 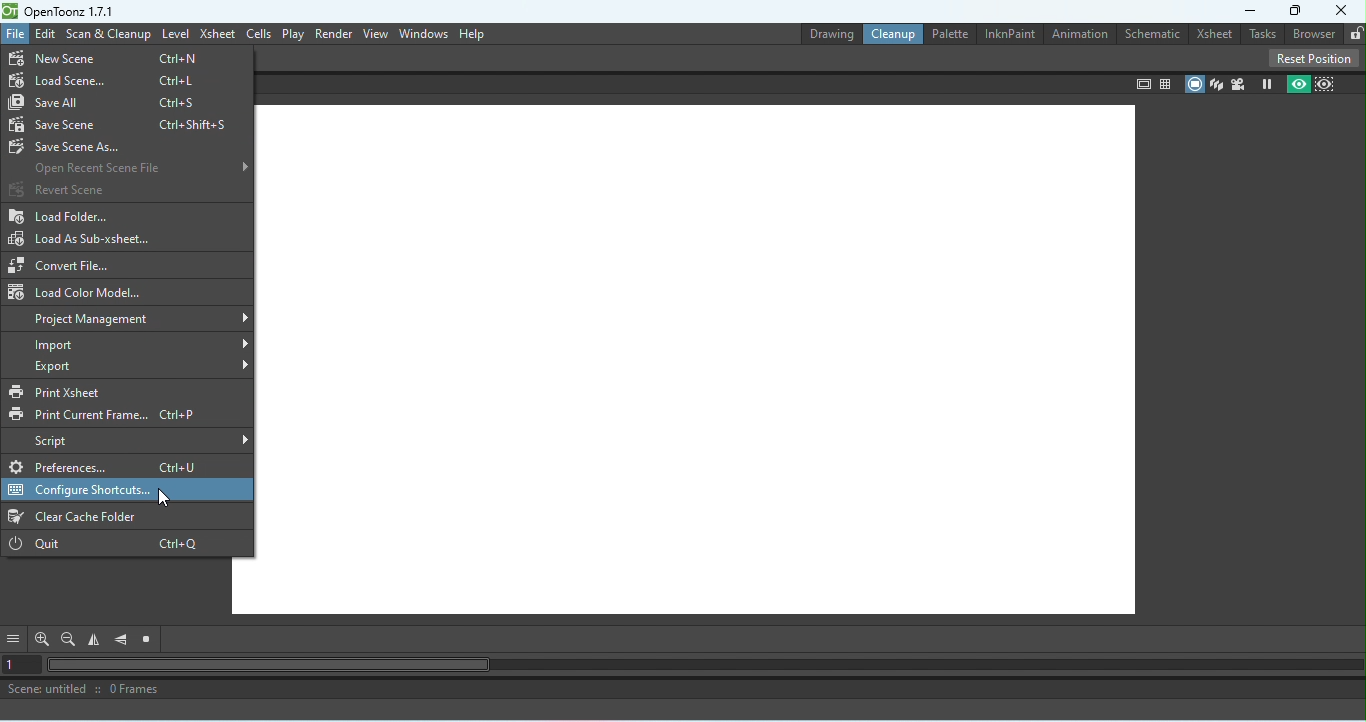 What do you see at coordinates (897, 35) in the screenshot?
I see `Cleanup` at bounding box center [897, 35].